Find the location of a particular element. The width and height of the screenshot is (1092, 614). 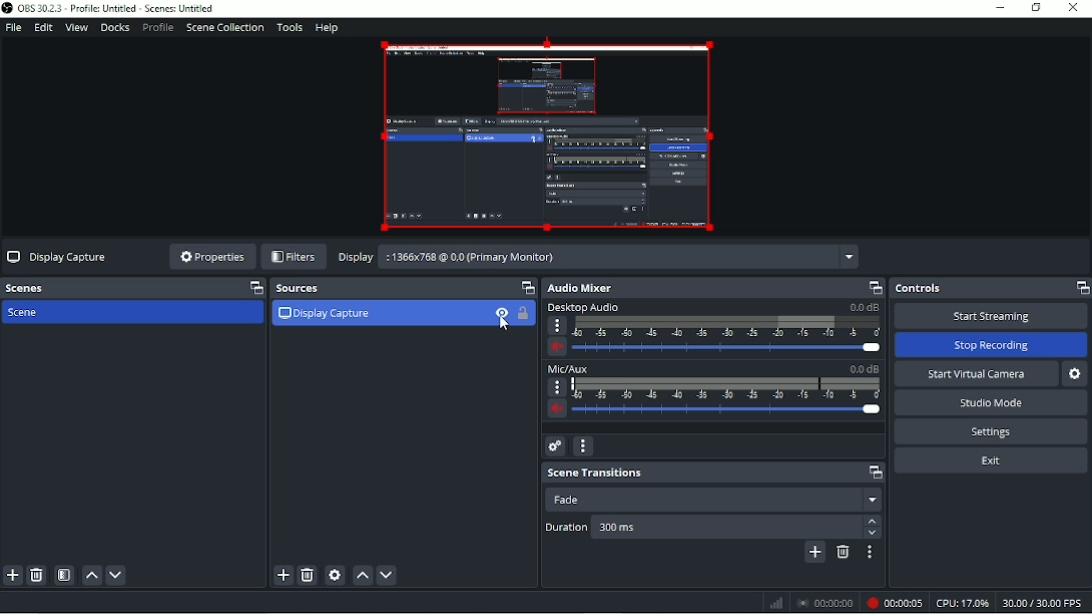

Scenes is located at coordinates (134, 288).